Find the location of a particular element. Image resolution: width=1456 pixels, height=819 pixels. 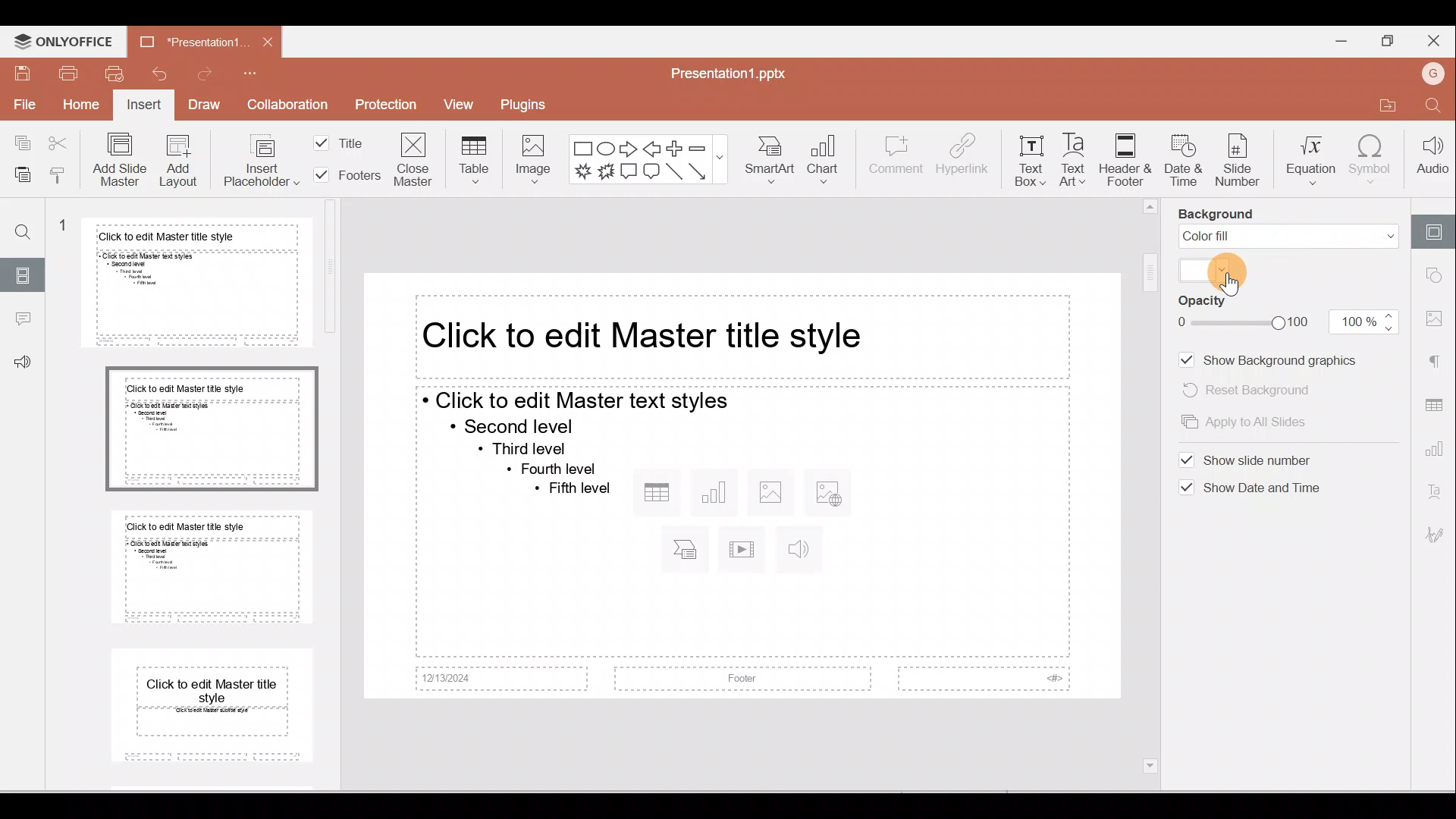

Text box is located at coordinates (1028, 165).